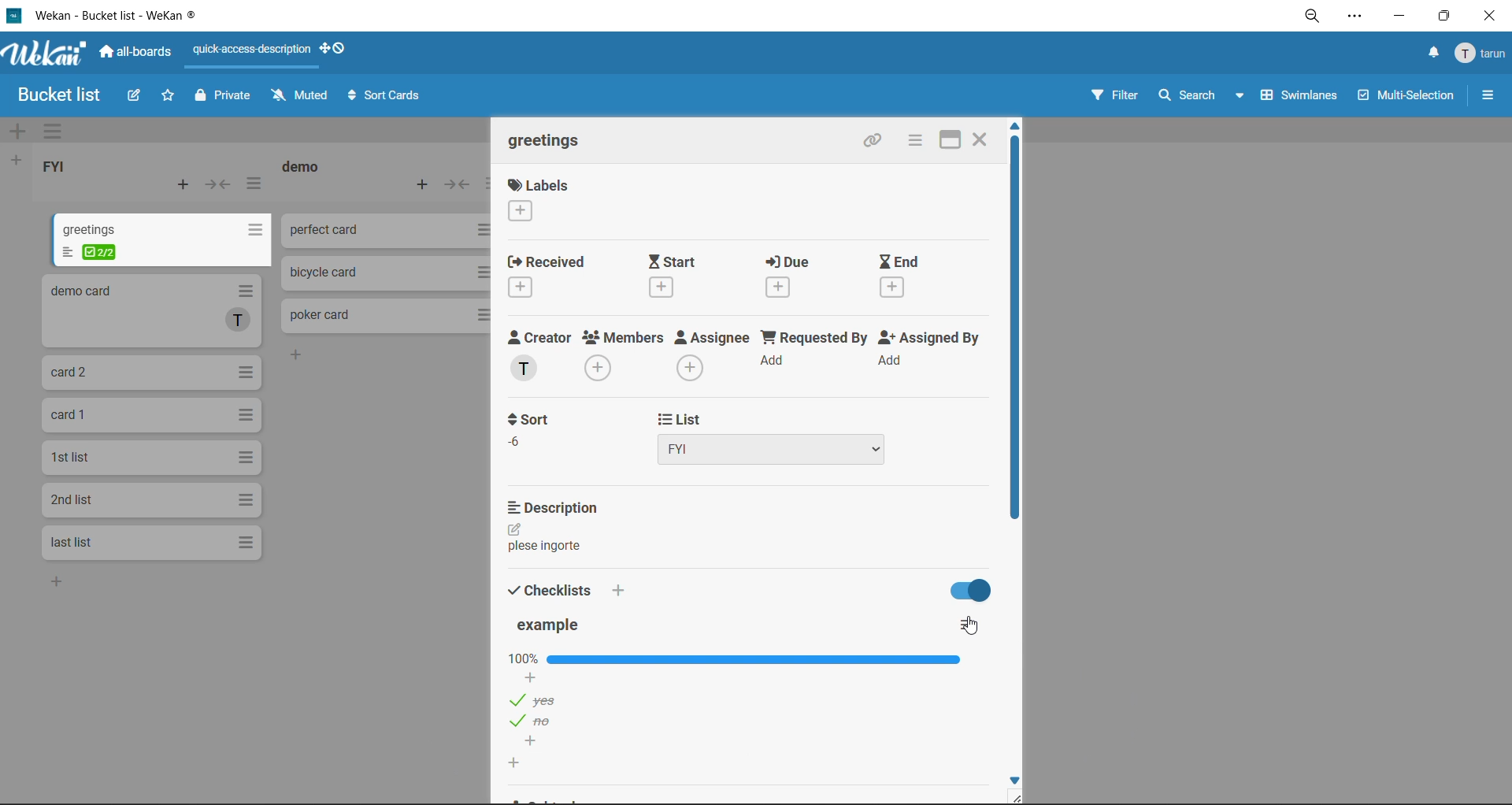 The image size is (1512, 805). Describe the element at coordinates (47, 57) in the screenshot. I see `app logo` at that location.